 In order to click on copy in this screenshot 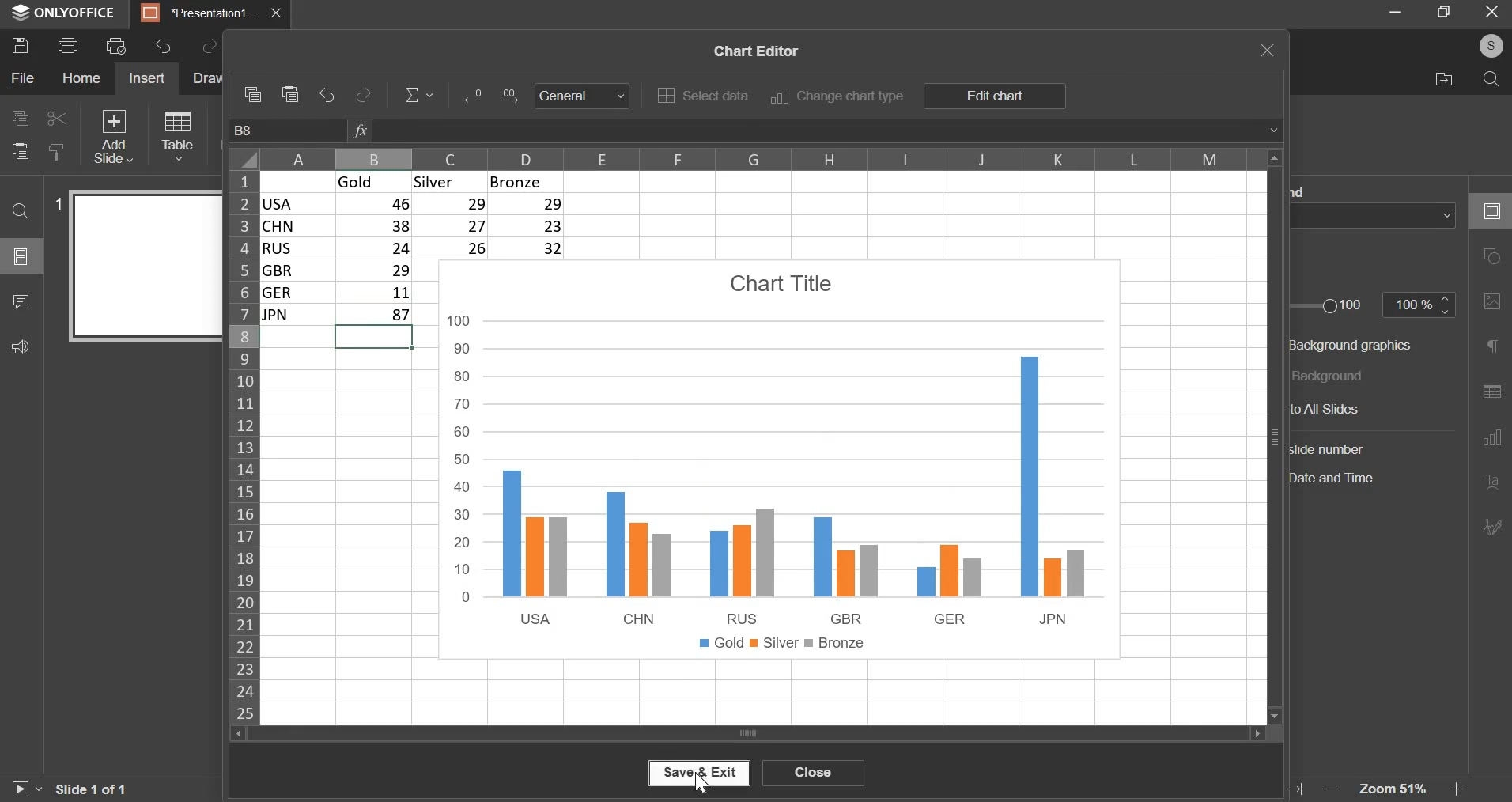, I will do `click(251, 94)`.